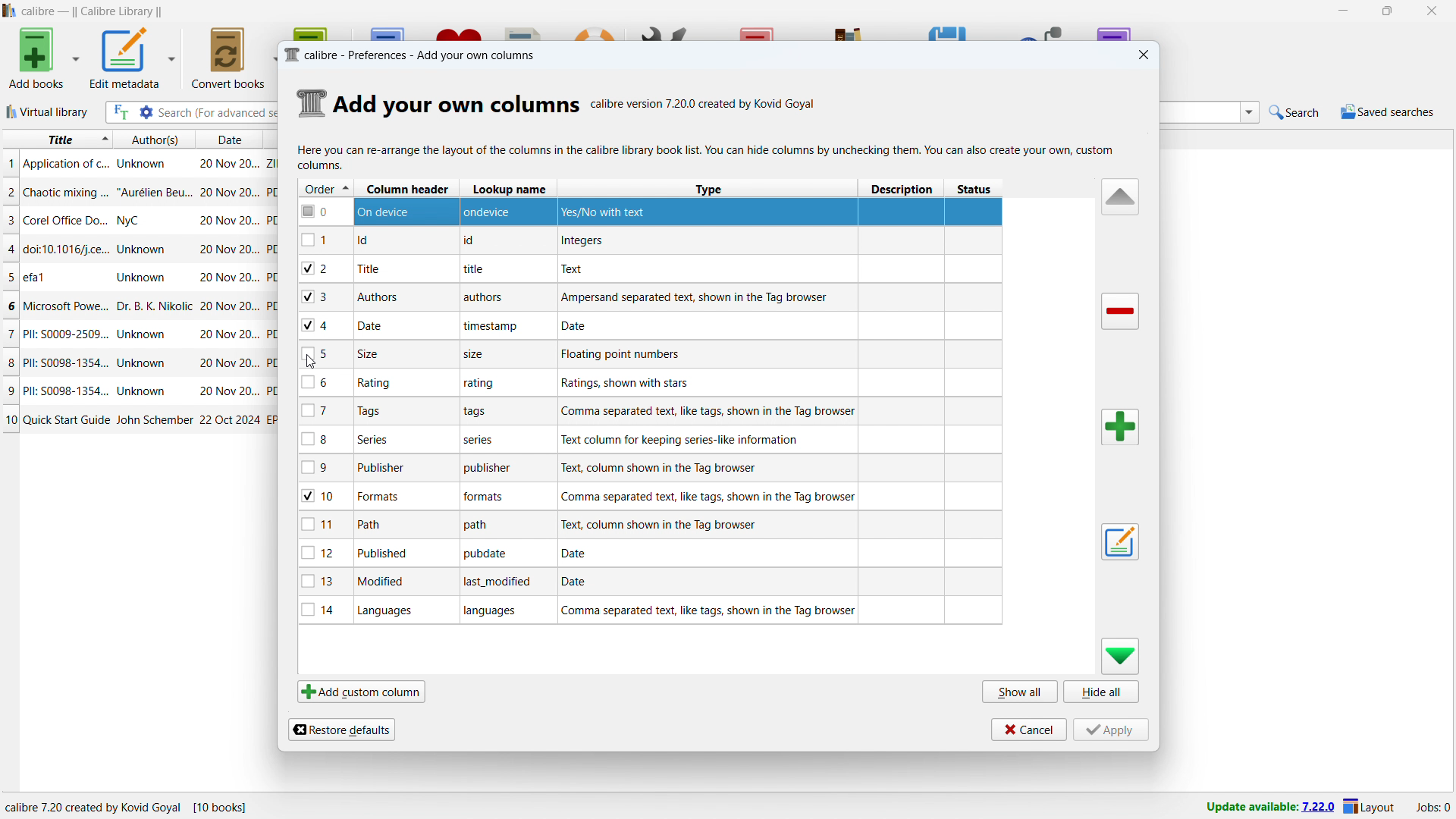 The image size is (1456, 819). I want to click on date, so click(229, 249).